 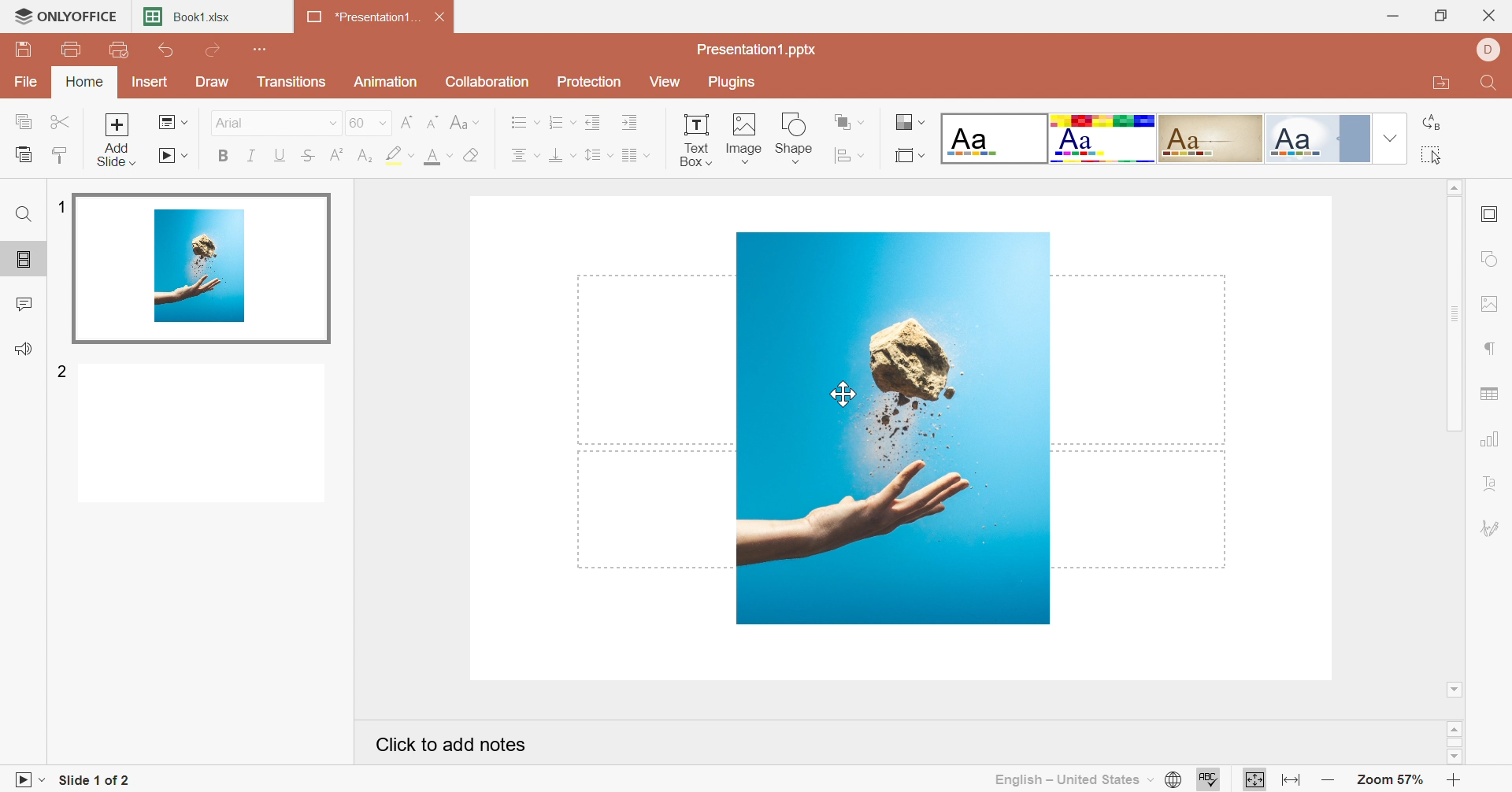 I want to click on Drop Down, so click(x=1387, y=138).